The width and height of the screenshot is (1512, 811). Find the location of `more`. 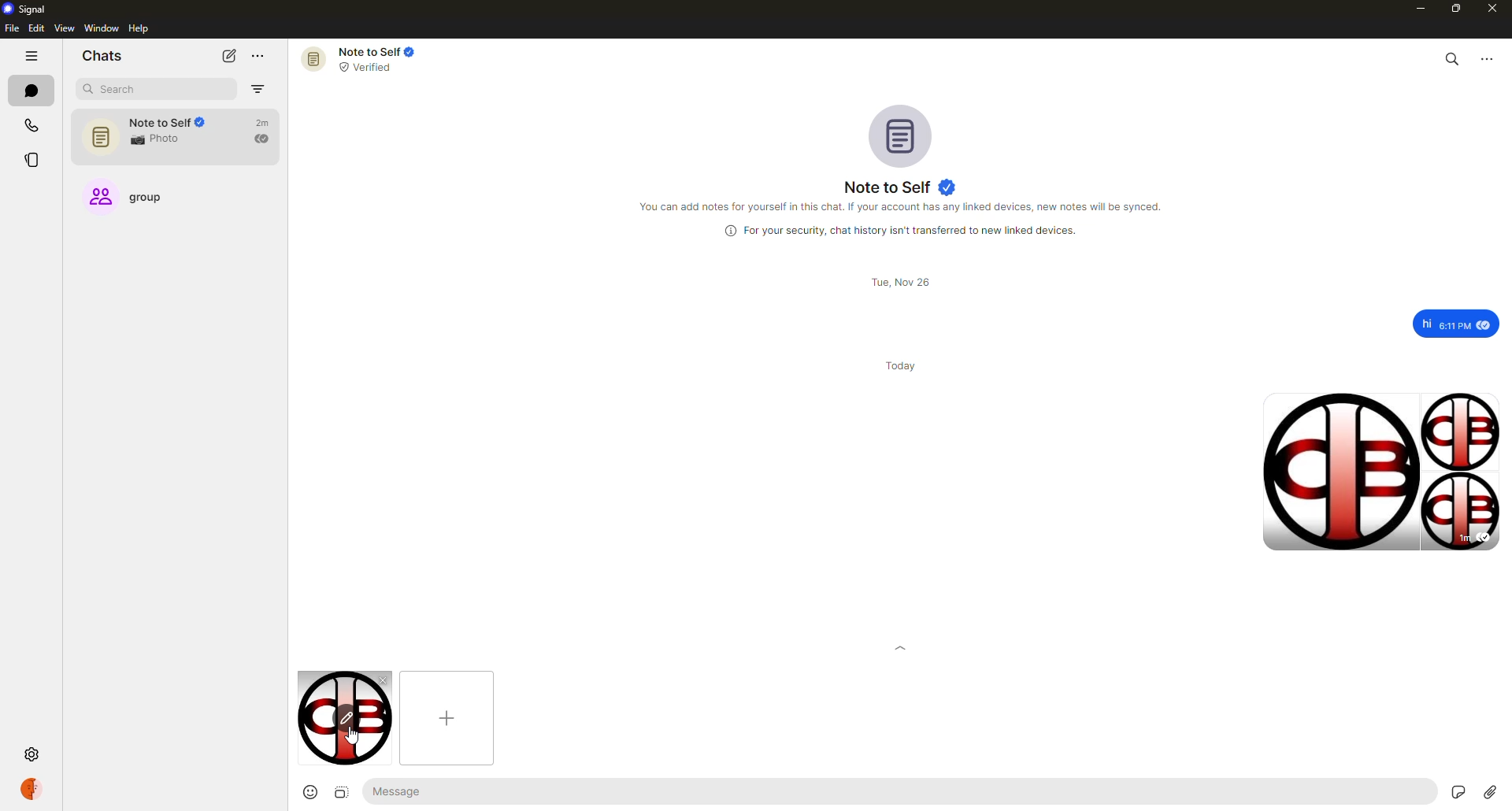

more is located at coordinates (1490, 60).